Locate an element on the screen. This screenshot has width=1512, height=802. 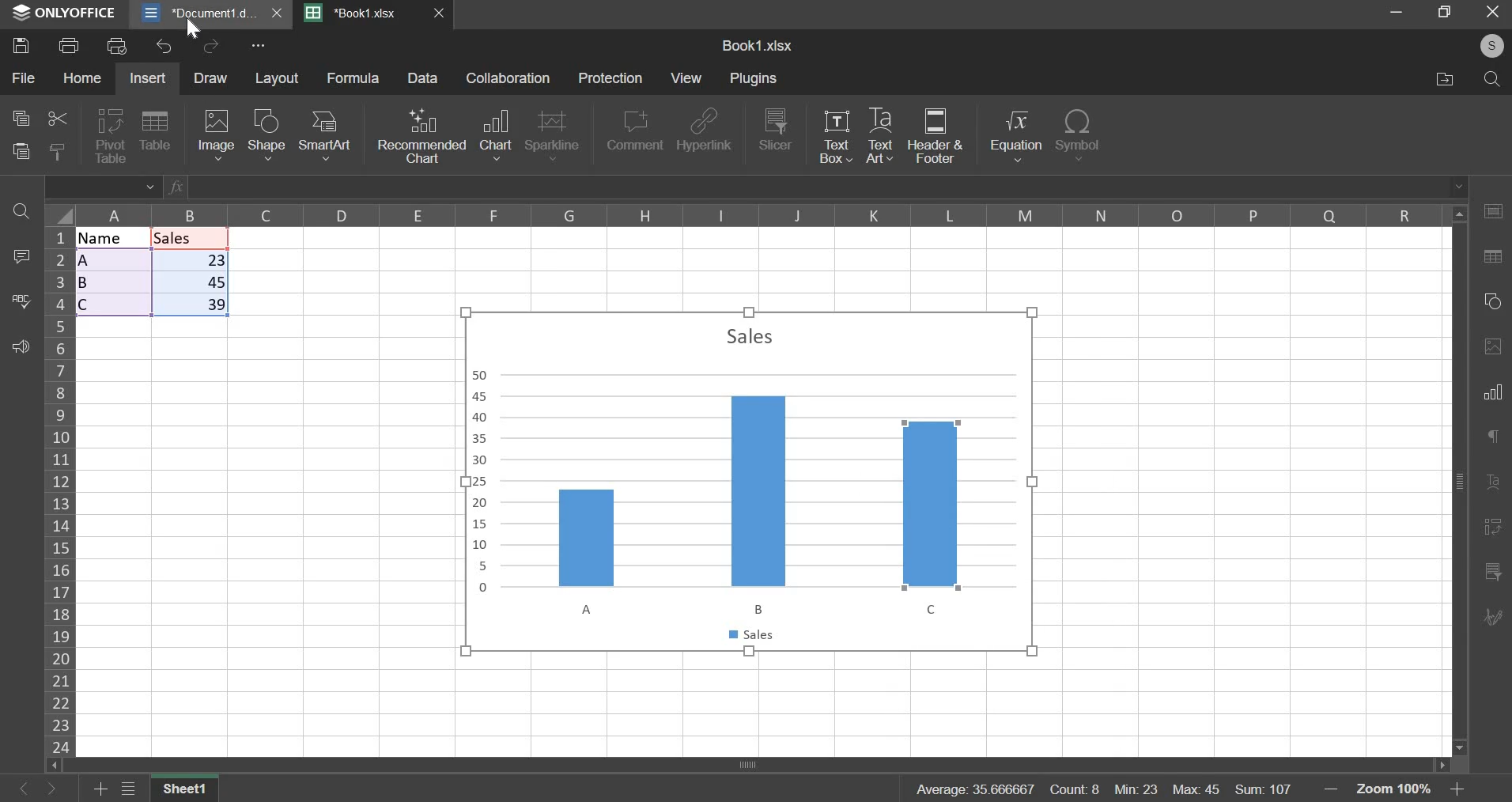
more is located at coordinates (270, 50).